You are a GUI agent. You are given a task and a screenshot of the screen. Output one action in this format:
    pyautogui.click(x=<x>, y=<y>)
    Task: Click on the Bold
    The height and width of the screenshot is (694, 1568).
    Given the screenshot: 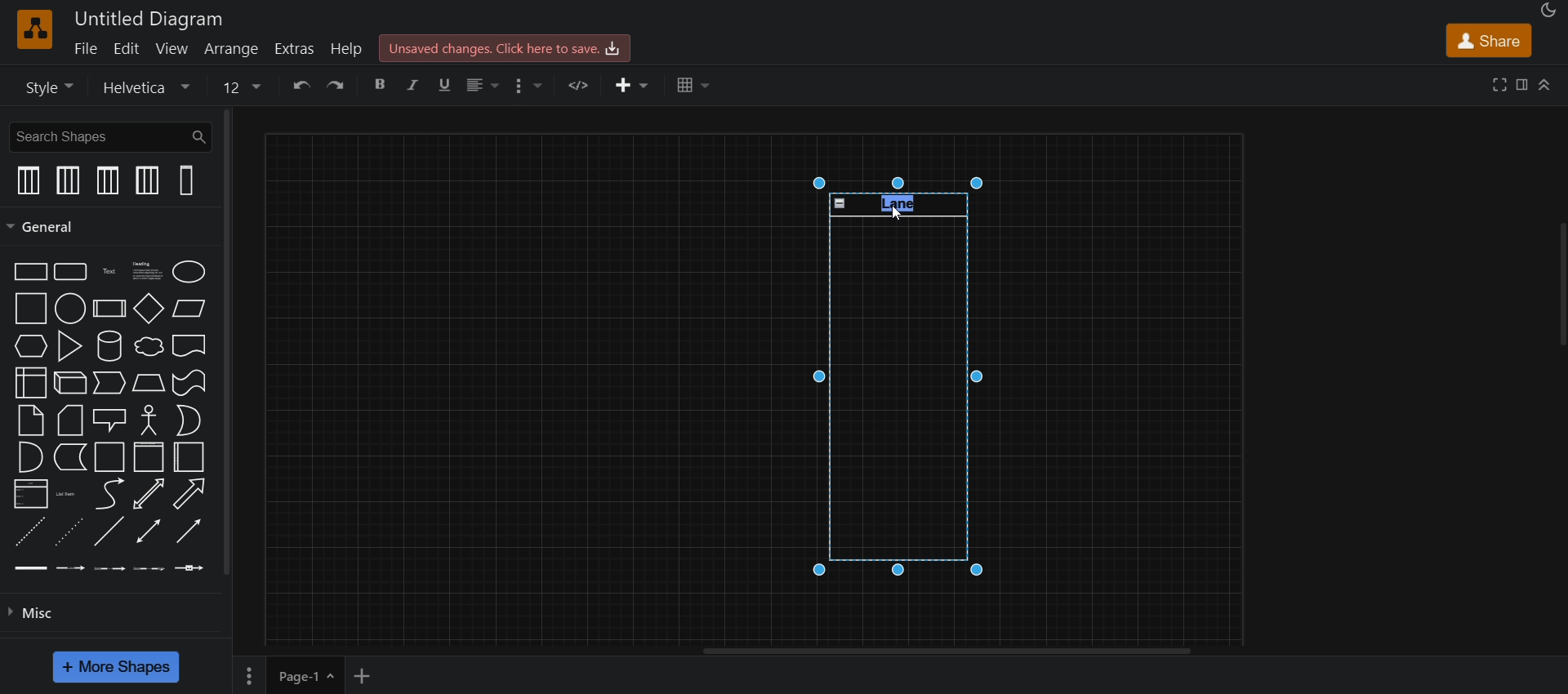 What is the action you would take?
    pyautogui.click(x=385, y=84)
    